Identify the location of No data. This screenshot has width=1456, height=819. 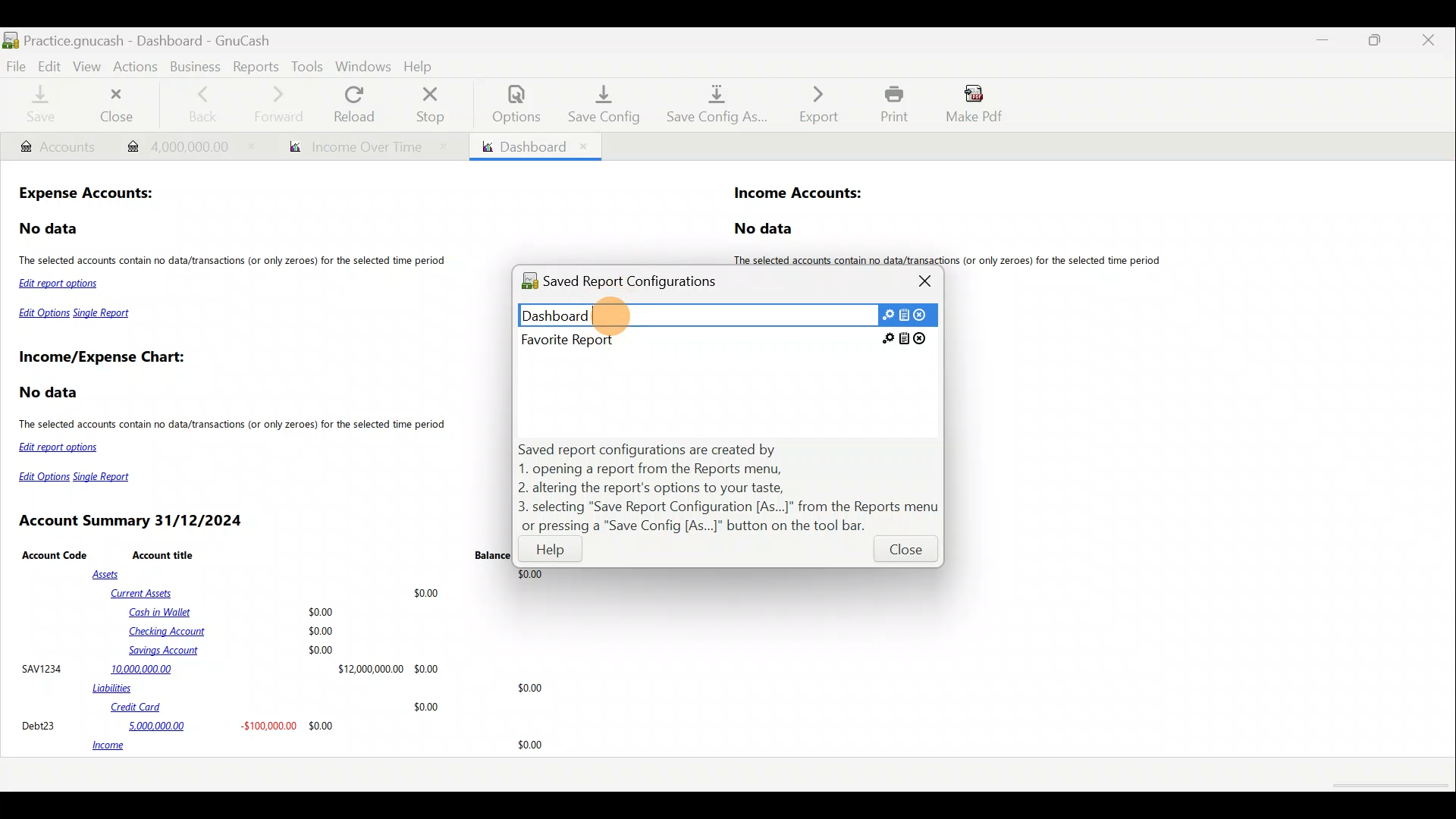
(51, 393).